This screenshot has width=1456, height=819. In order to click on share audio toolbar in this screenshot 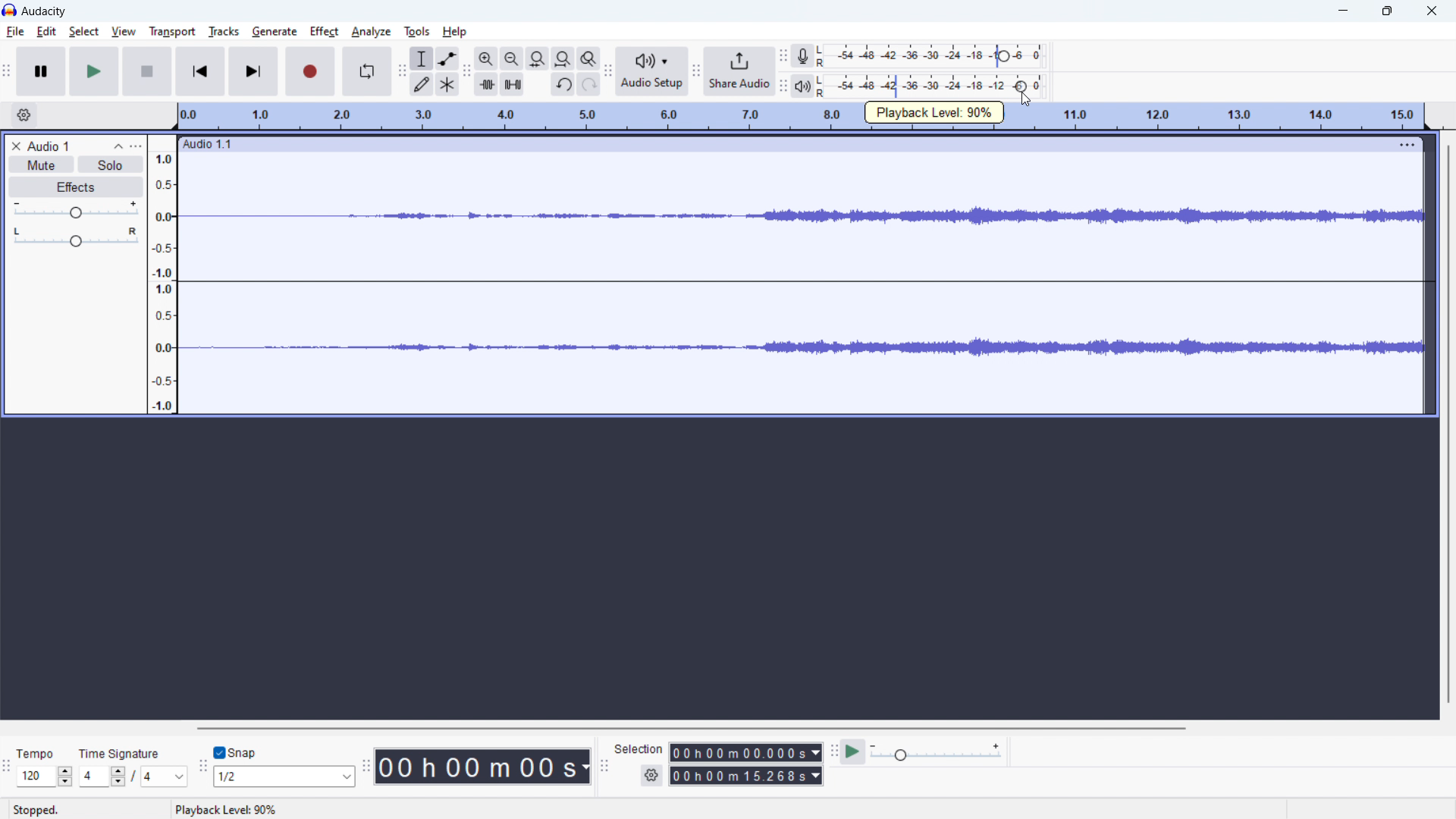, I will do `click(695, 68)`.